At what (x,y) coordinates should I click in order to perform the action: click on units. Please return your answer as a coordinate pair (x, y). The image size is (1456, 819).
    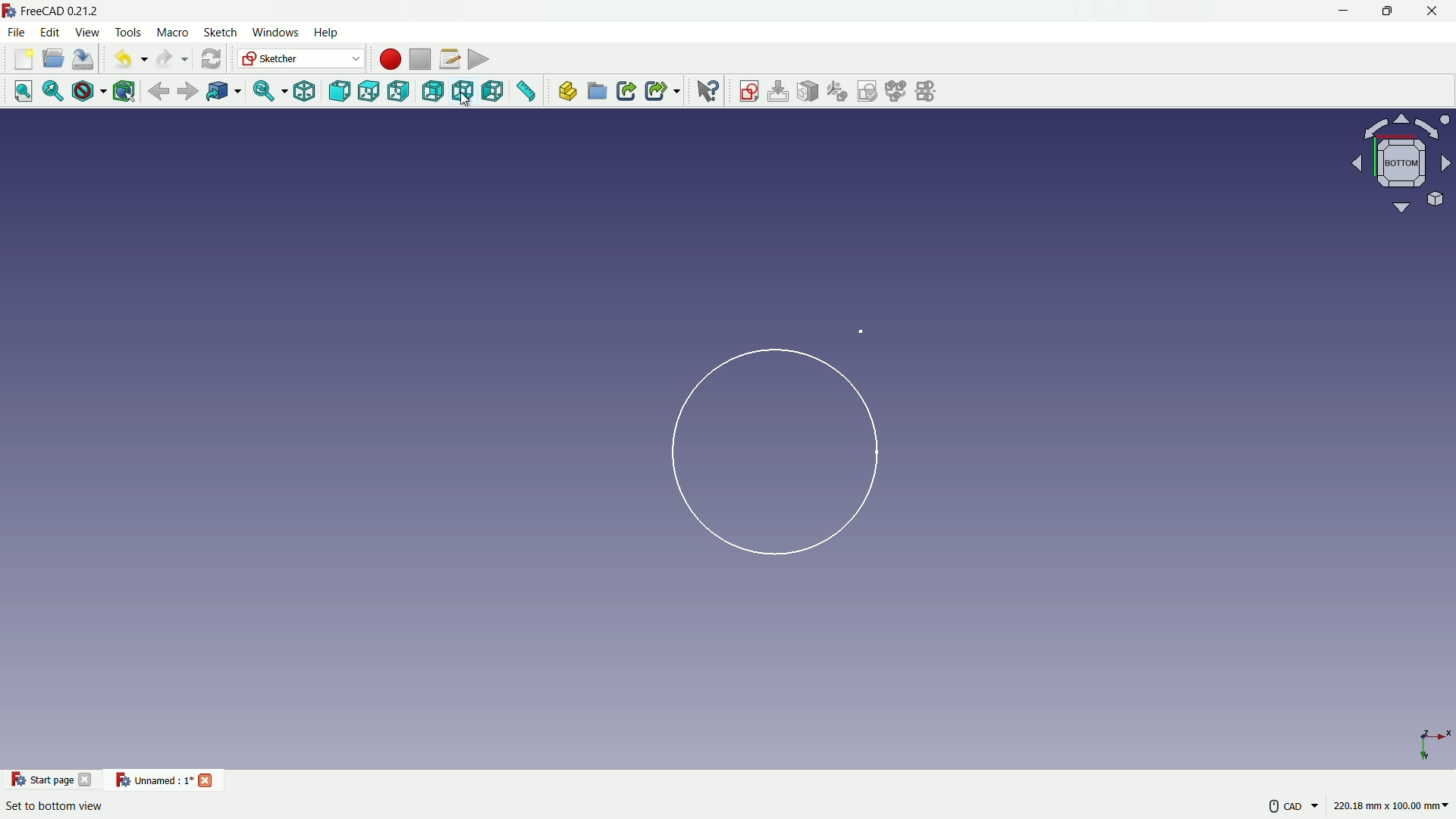
    Looking at the image, I should click on (1395, 808).